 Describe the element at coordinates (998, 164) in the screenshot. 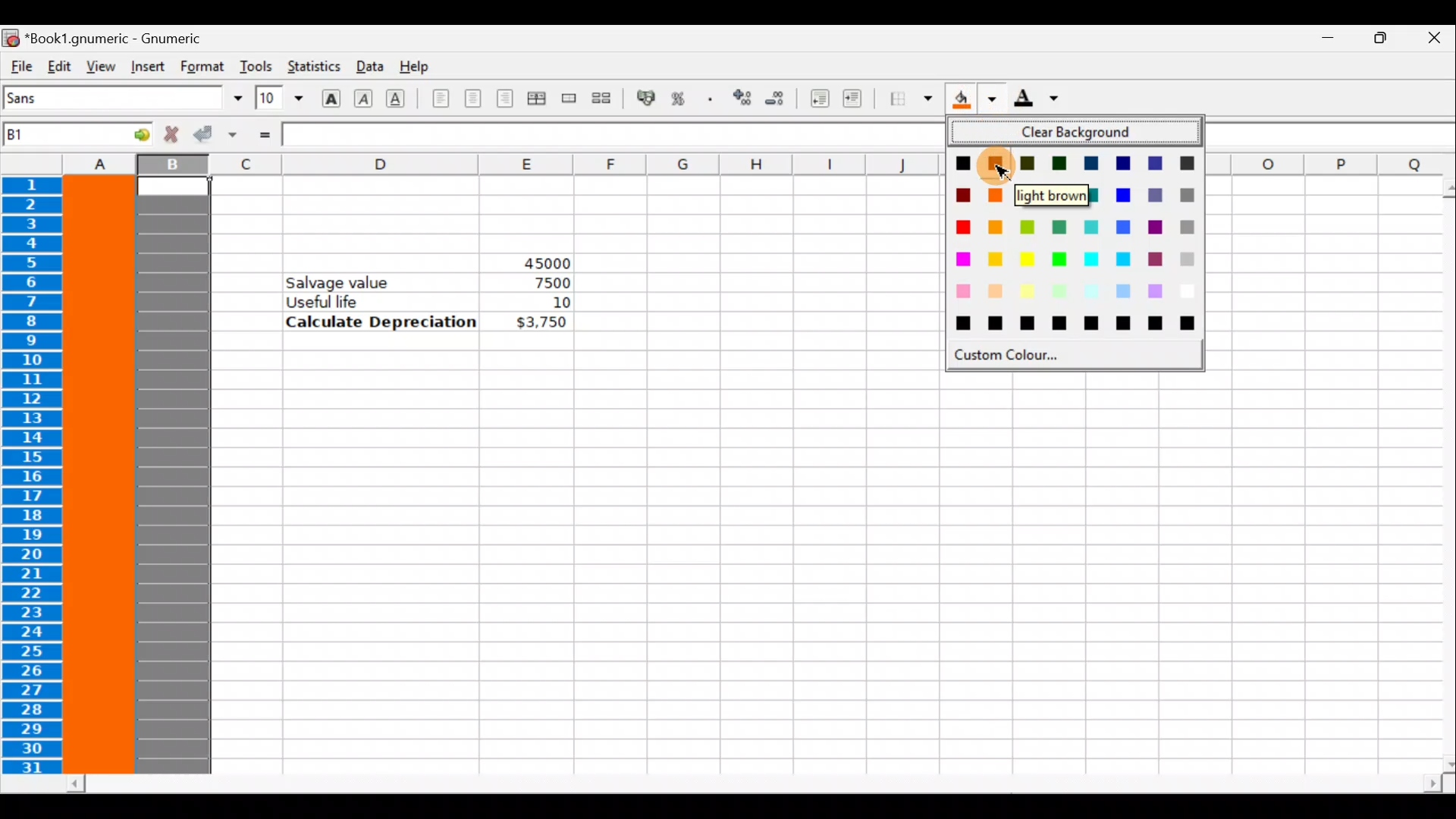

I see `Cursor on light brown` at that location.